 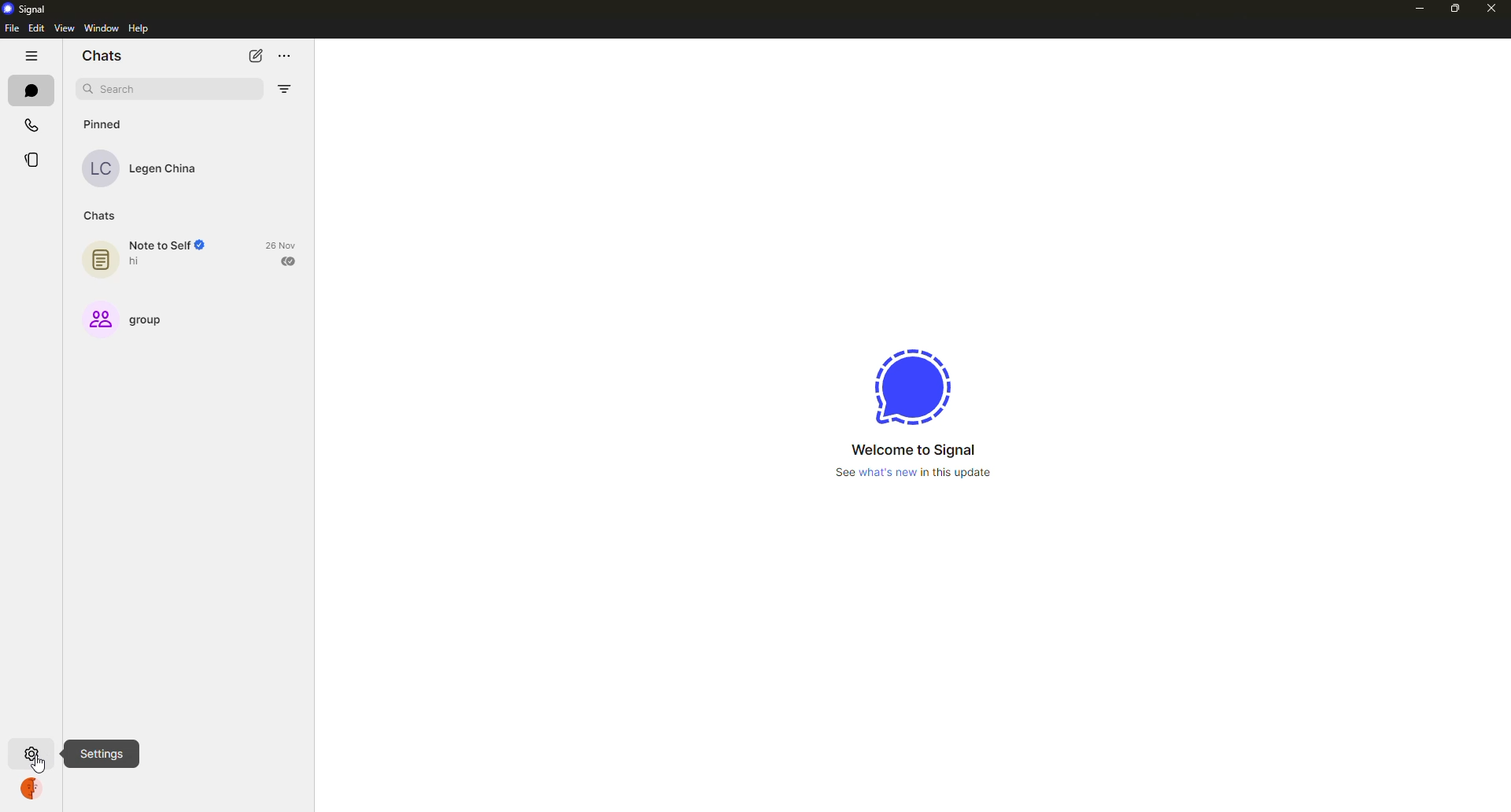 I want to click on signal, so click(x=34, y=9).